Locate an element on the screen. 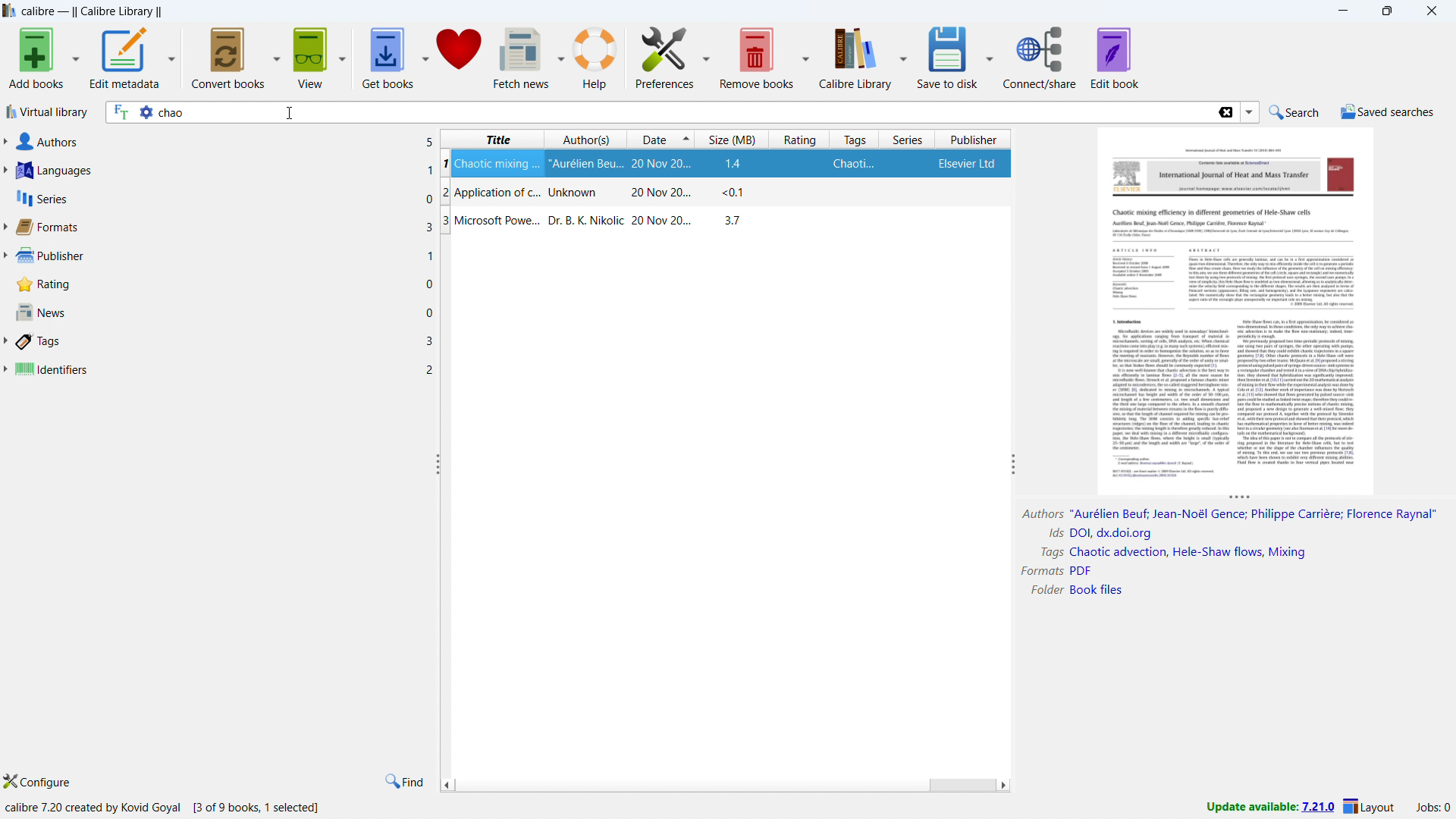 The image size is (1456, 819). news is located at coordinates (225, 312).